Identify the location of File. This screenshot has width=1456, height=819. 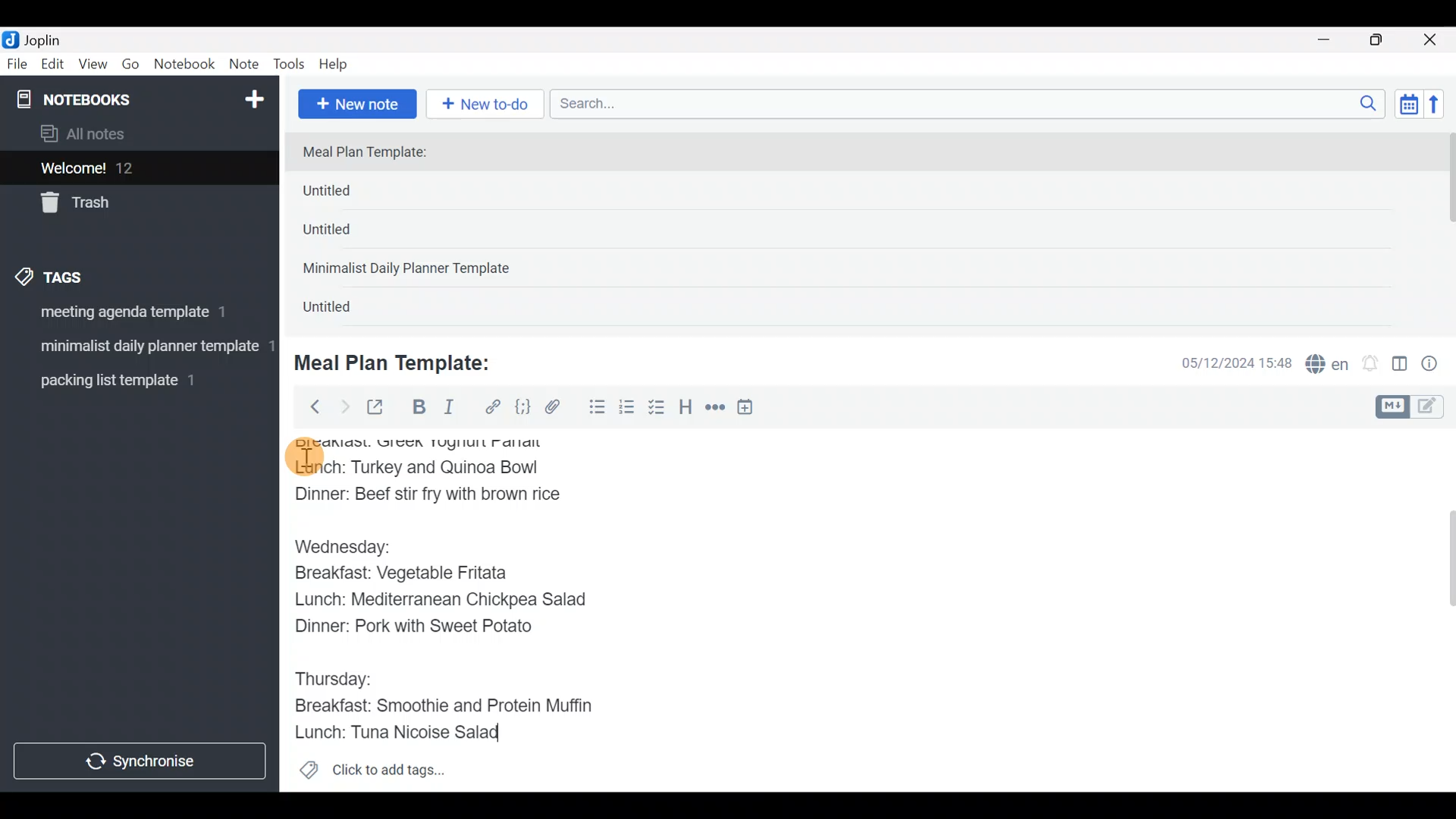
(18, 64).